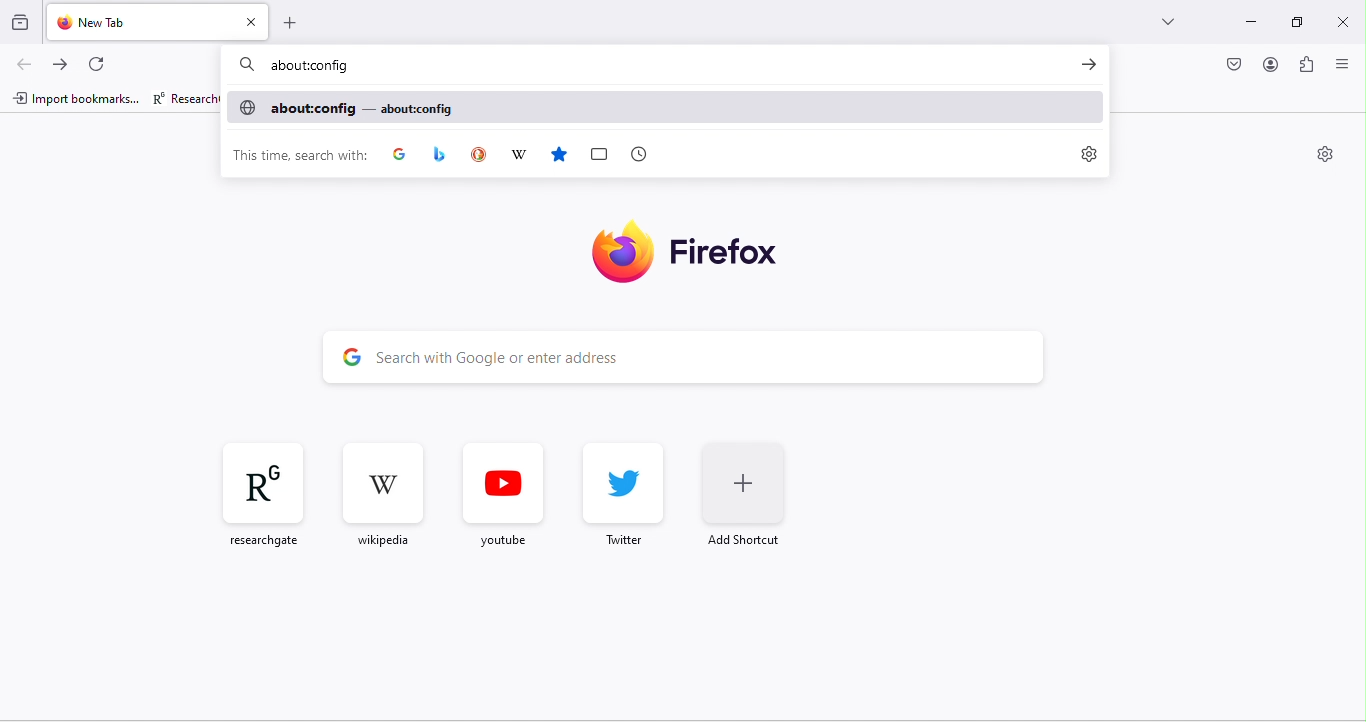 Image resolution: width=1366 pixels, height=722 pixels. What do you see at coordinates (439, 155) in the screenshot?
I see `app` at bounding box center [439, 155].